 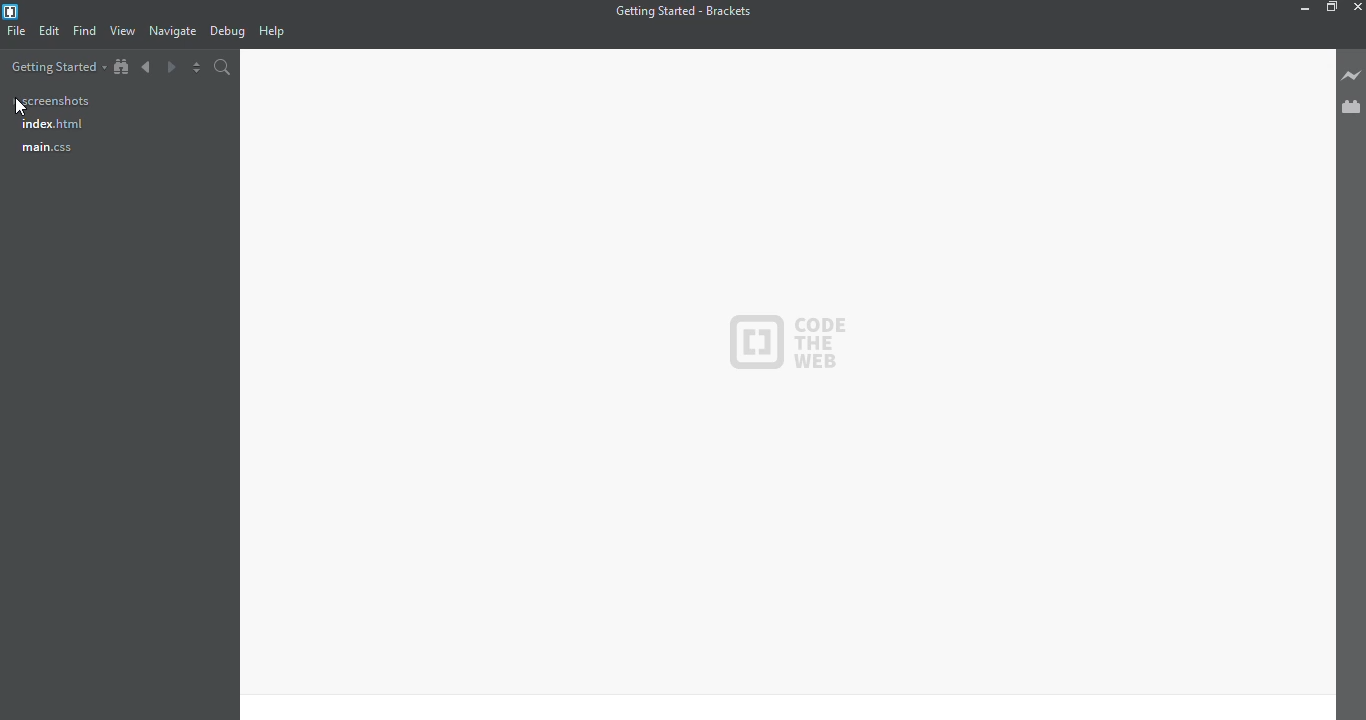 I want to click on file, so click(x=15, y=31).